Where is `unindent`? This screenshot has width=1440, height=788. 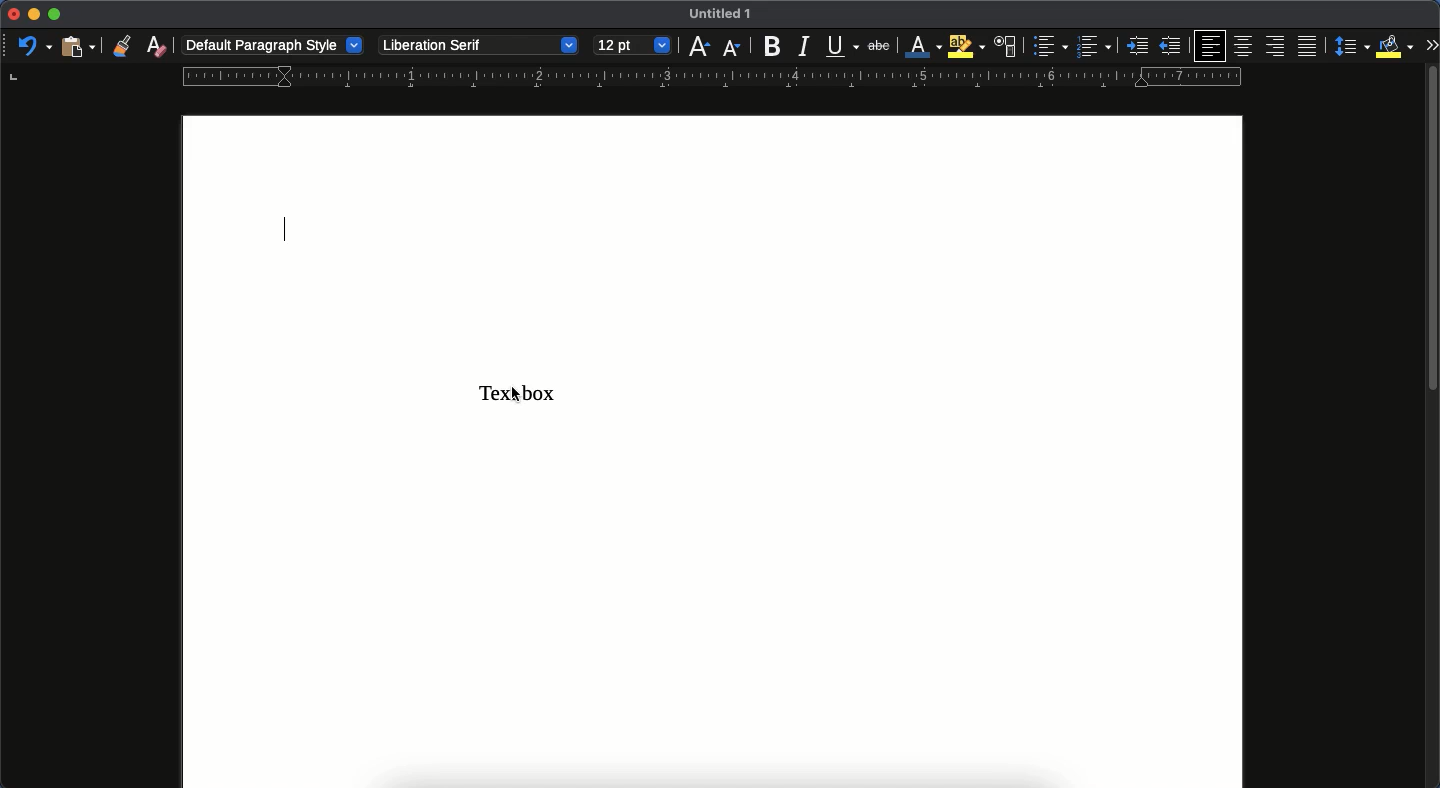 unindent is located at coordinates (1173, 47).